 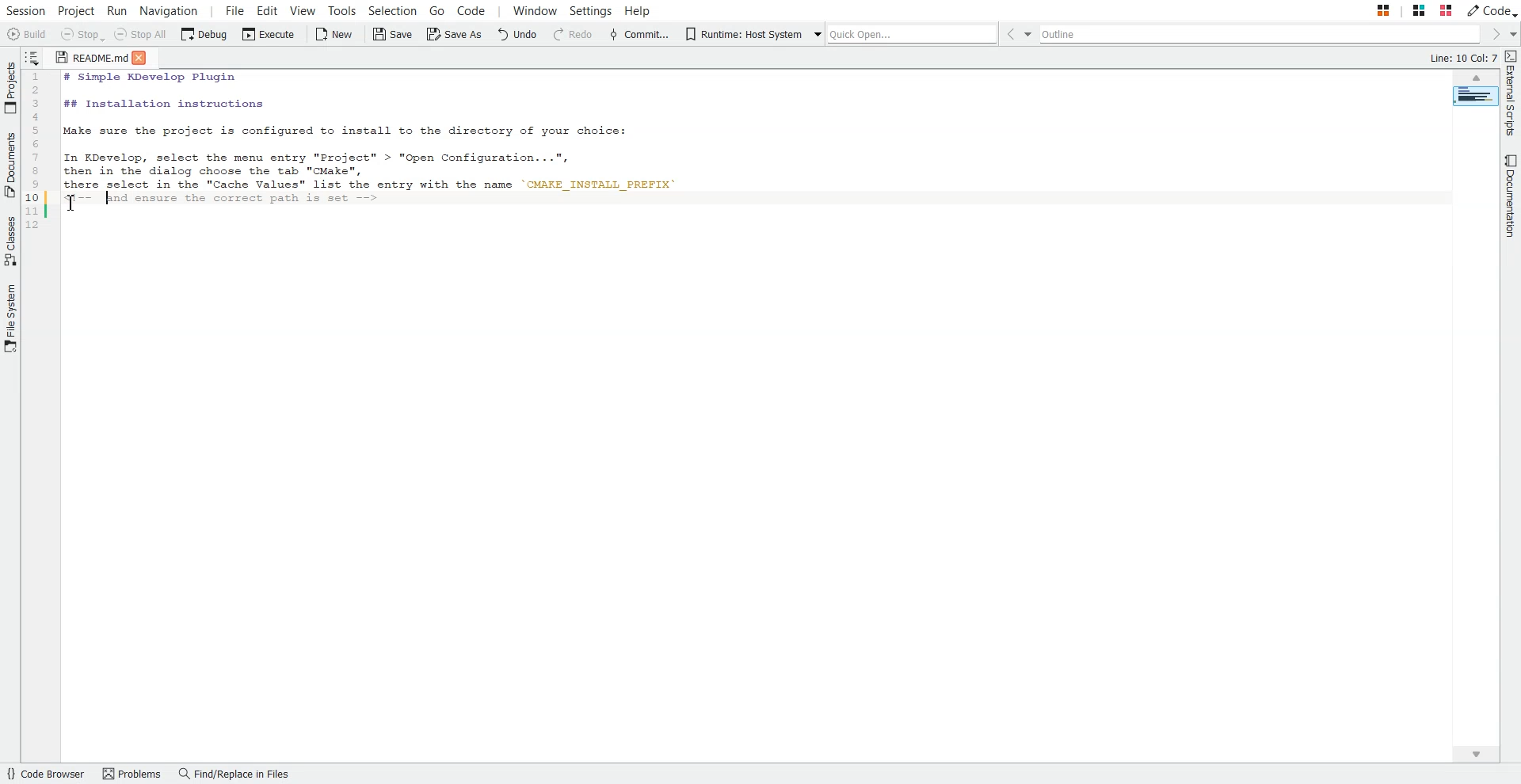 What do you see at coordinates (741, 35) in the screenshot?
I see `Runtime: Host System` at bounding box center [741, 35].